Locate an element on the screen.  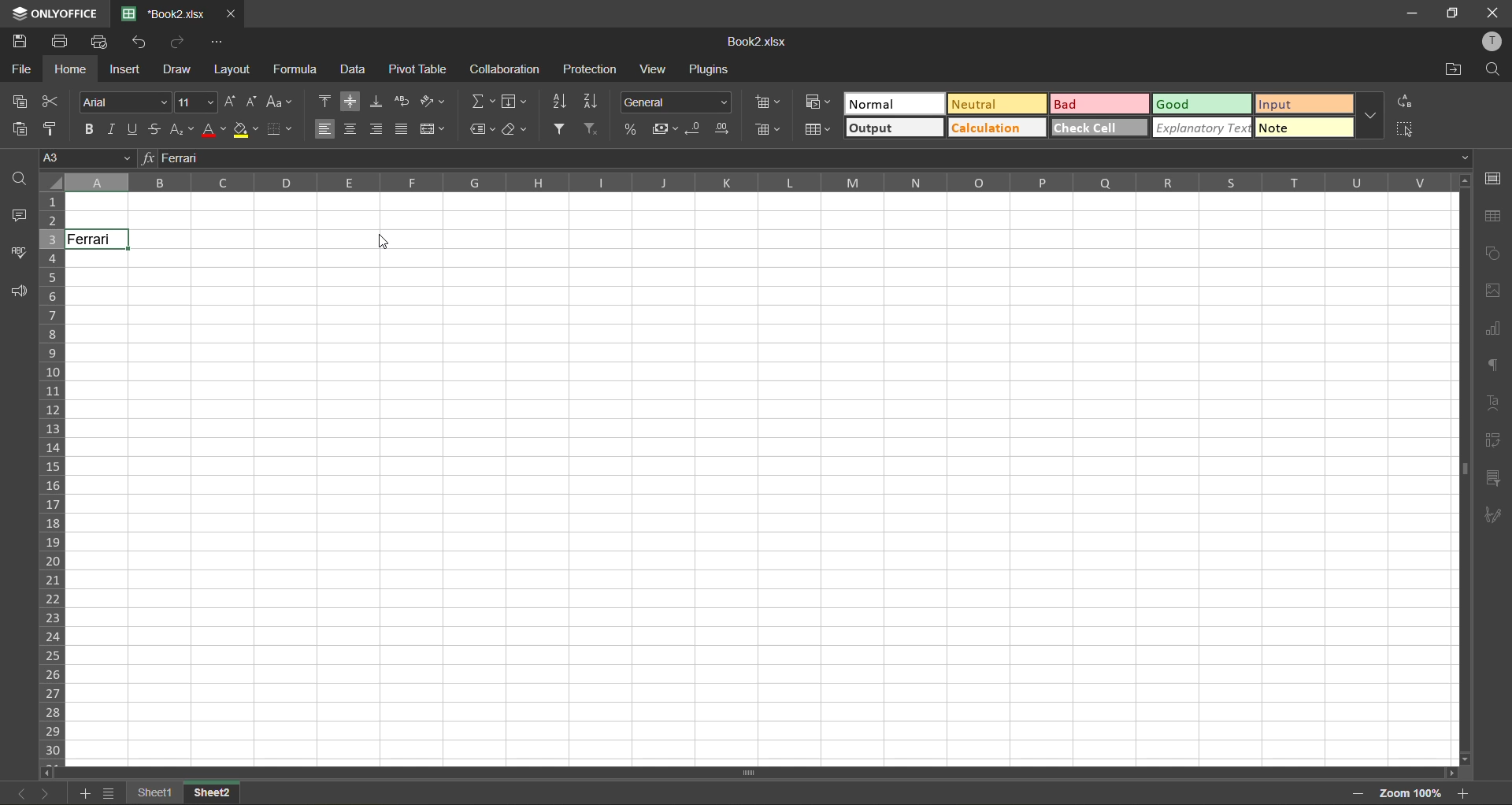
file name is located at coordinates (163, 13).